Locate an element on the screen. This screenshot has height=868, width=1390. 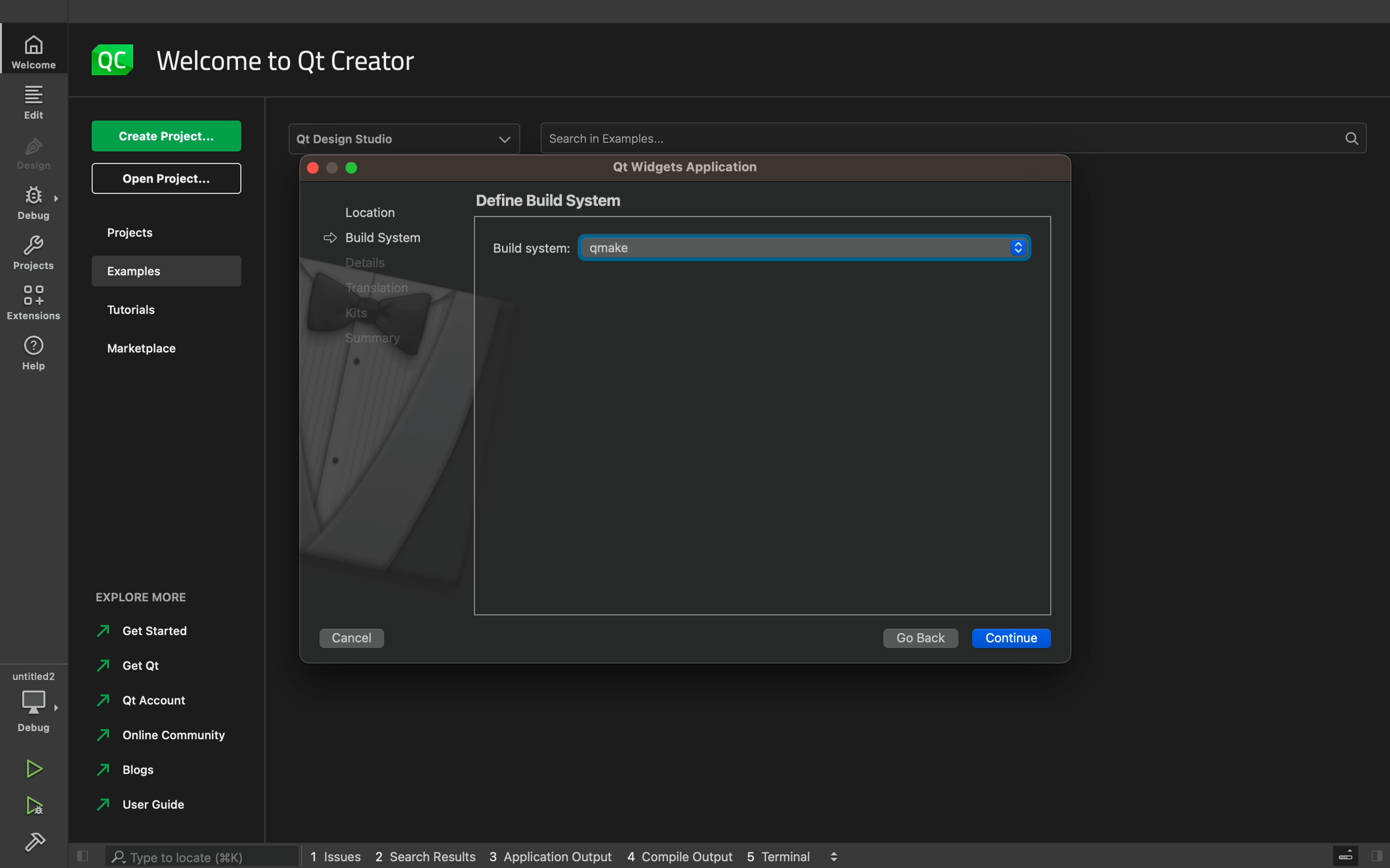
etails is located at coordinates (361, 262).